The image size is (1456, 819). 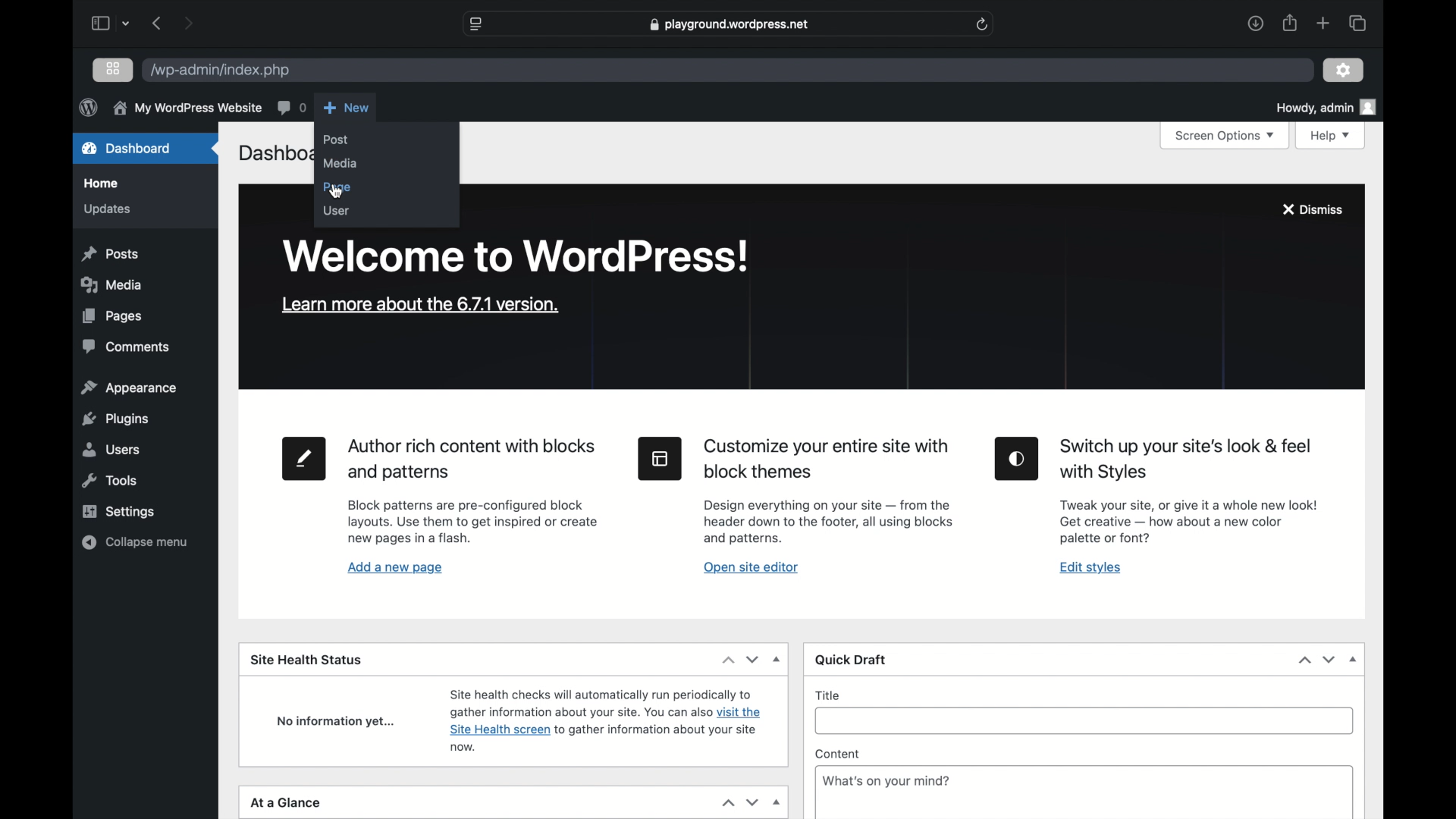 What do you see at coordinates (1288, 23) in the screenshot?
I see `share` at bounding box center [1288, 23].